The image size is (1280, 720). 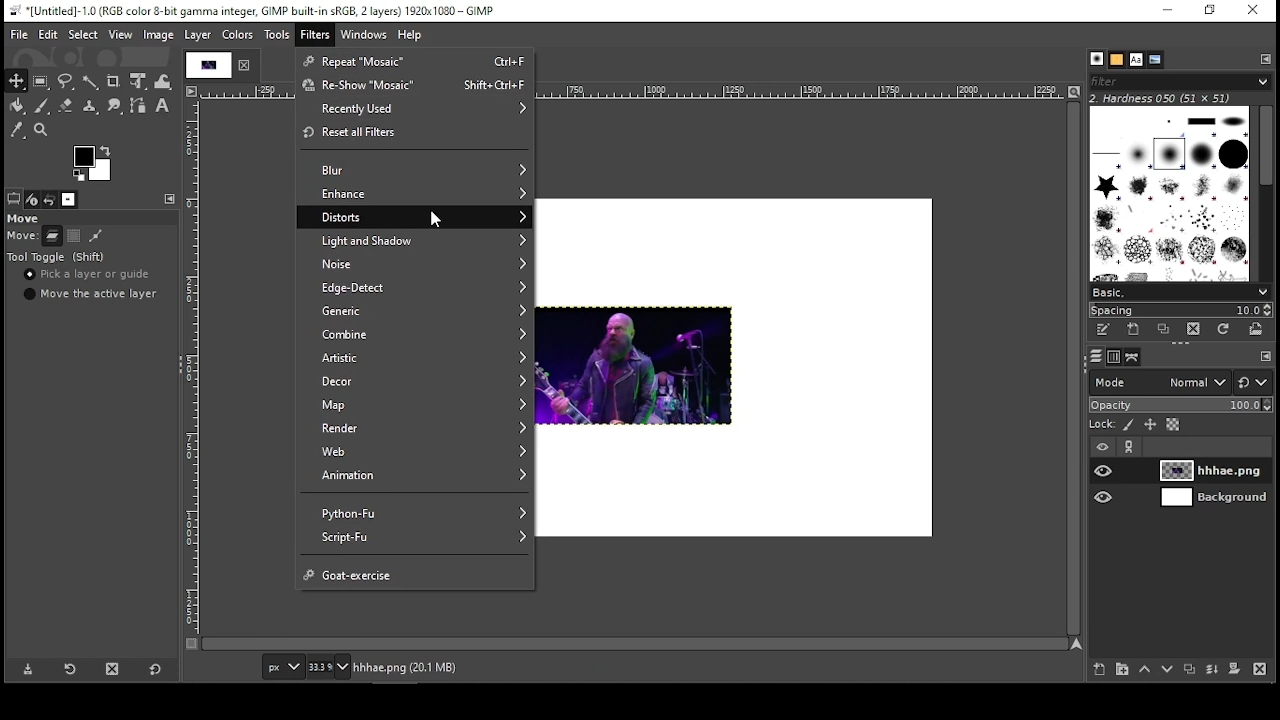 What do you see at coordinates (91, 294) in the screenshot?
I see `move the active layer` at bounding box center [91, 294].